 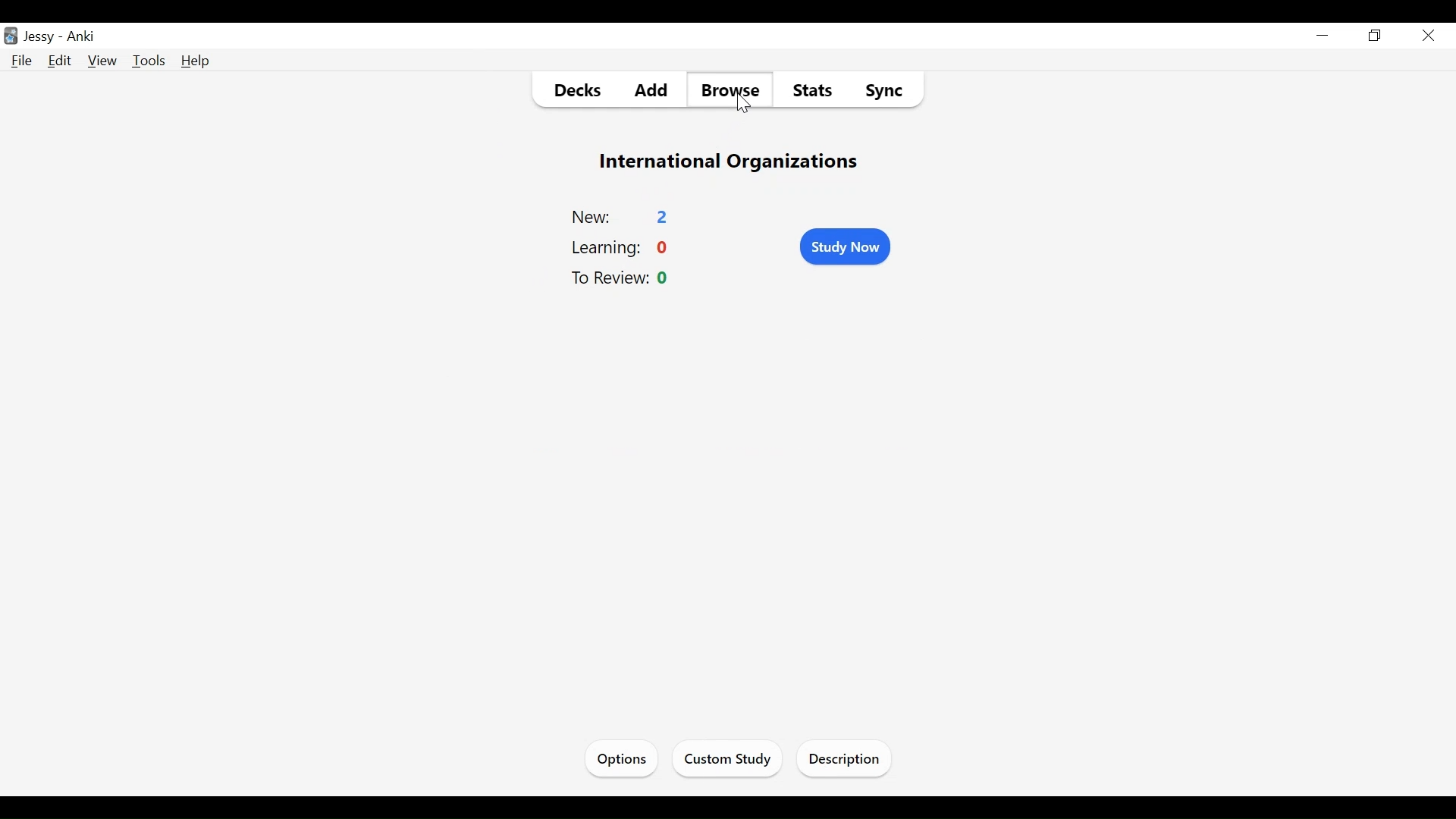 What do you see at coordinates (24, 61) in the screenshot?
I see `File` at bounding box center [24, 61].